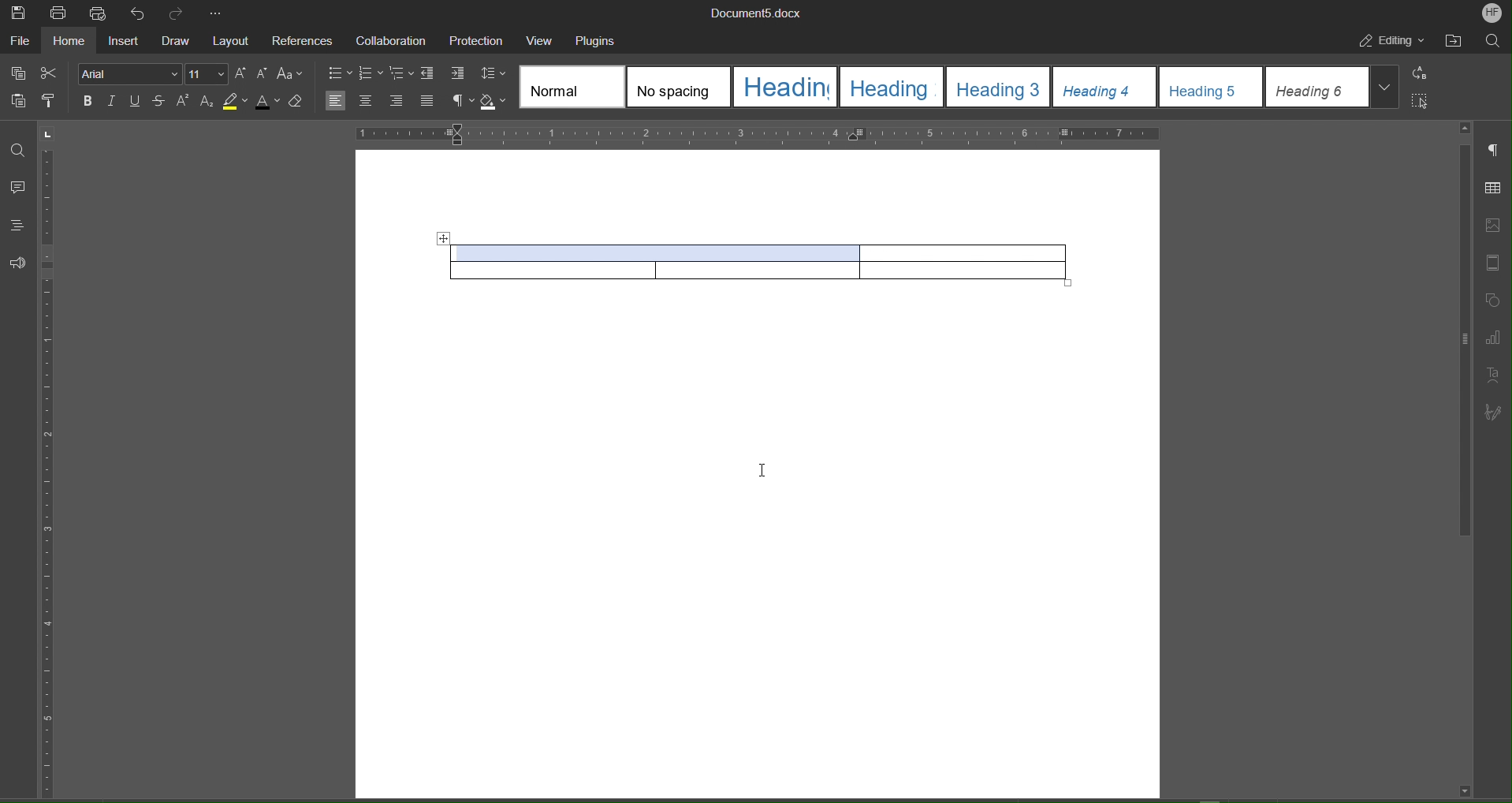 This screenshot has height=803, width=1512. What do you see at coordinates (371, 75) in the screenshot?
I see `numbering` at bounding box center [371, 75].